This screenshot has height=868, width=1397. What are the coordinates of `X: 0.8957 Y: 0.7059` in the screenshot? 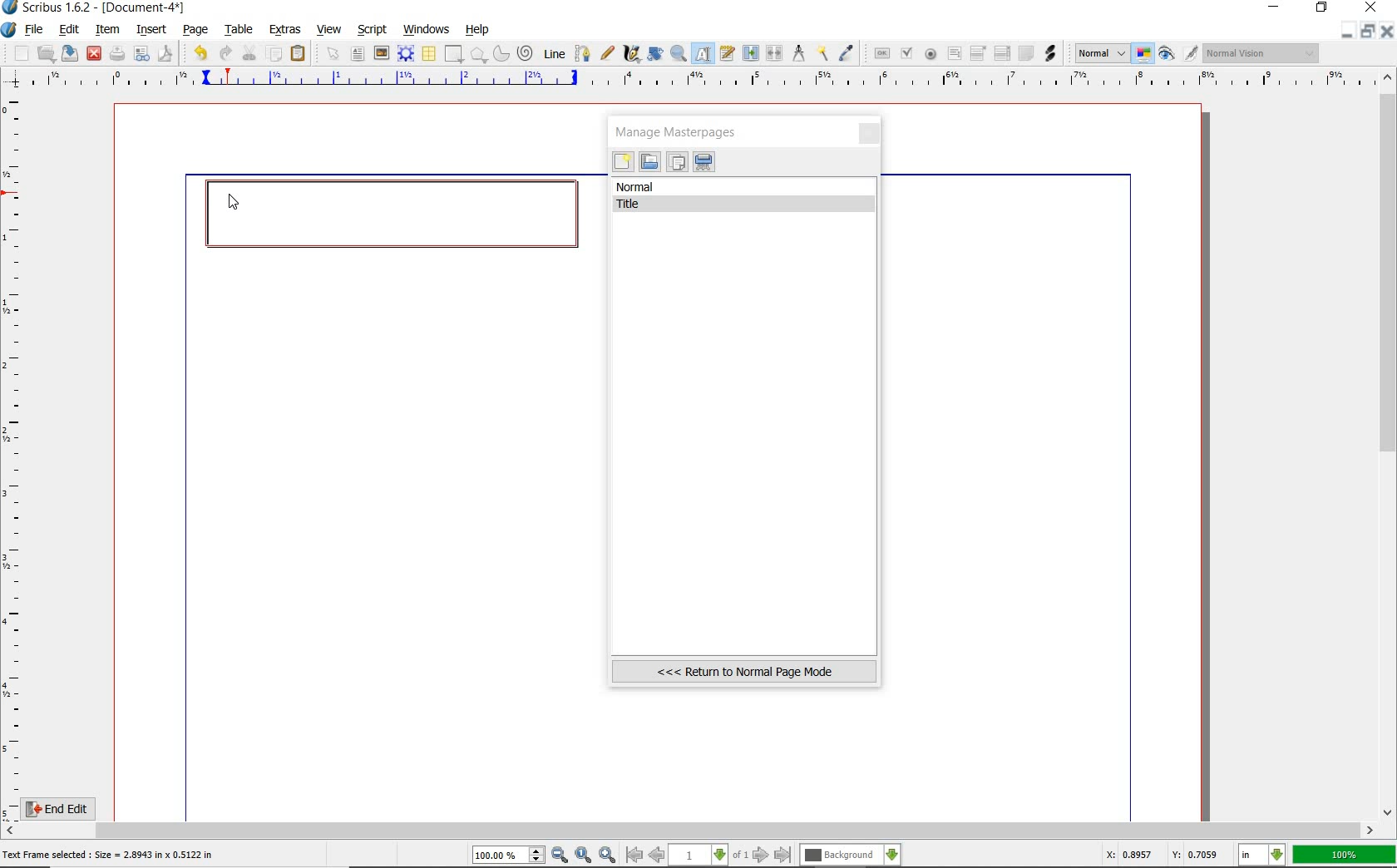 It's located at (1162, 856).